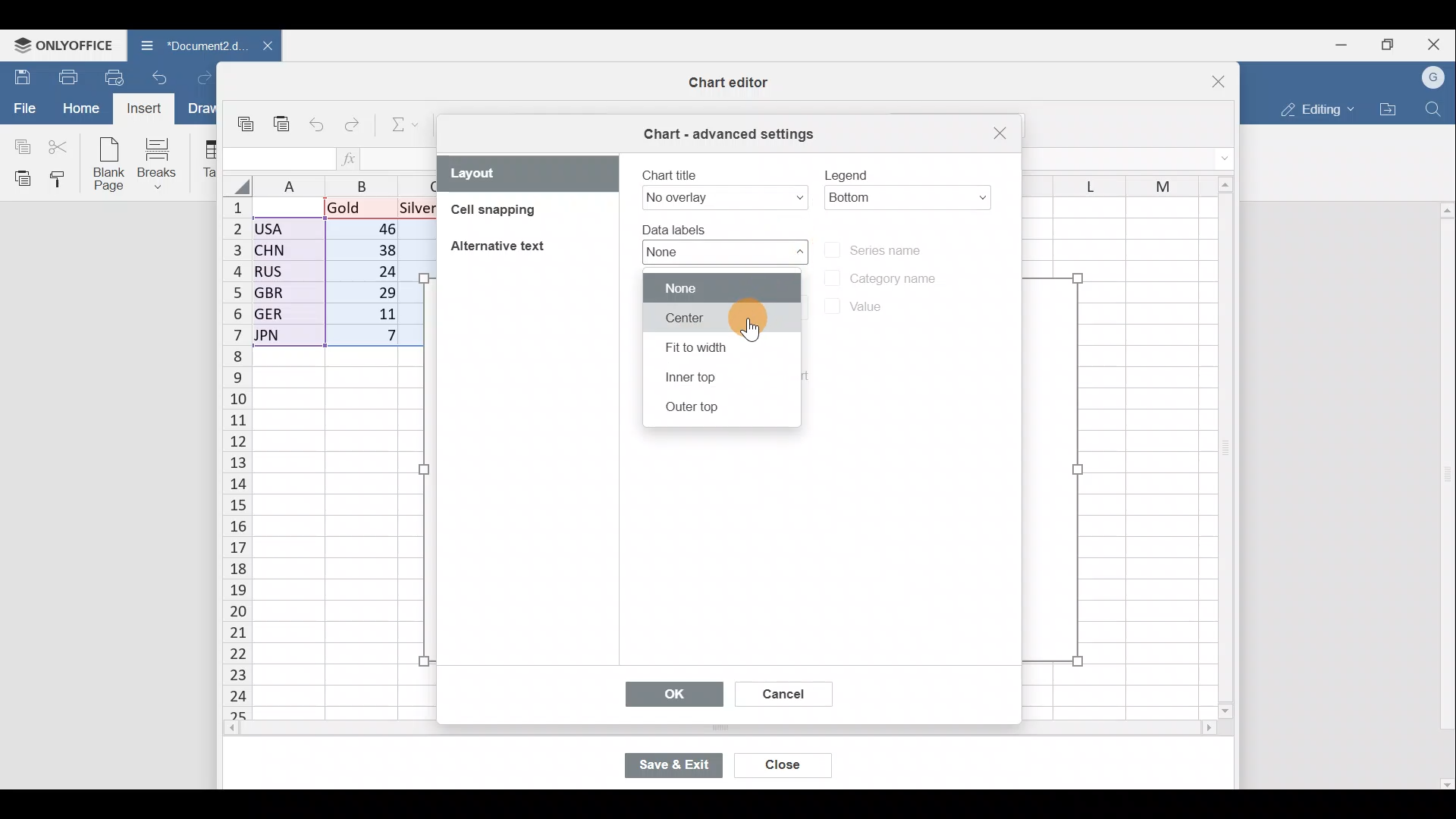 This screenshot has height=819, width=1456. Describe the element at coordinates (714, 409) in the screenshot. I see `Outer top` at that location.